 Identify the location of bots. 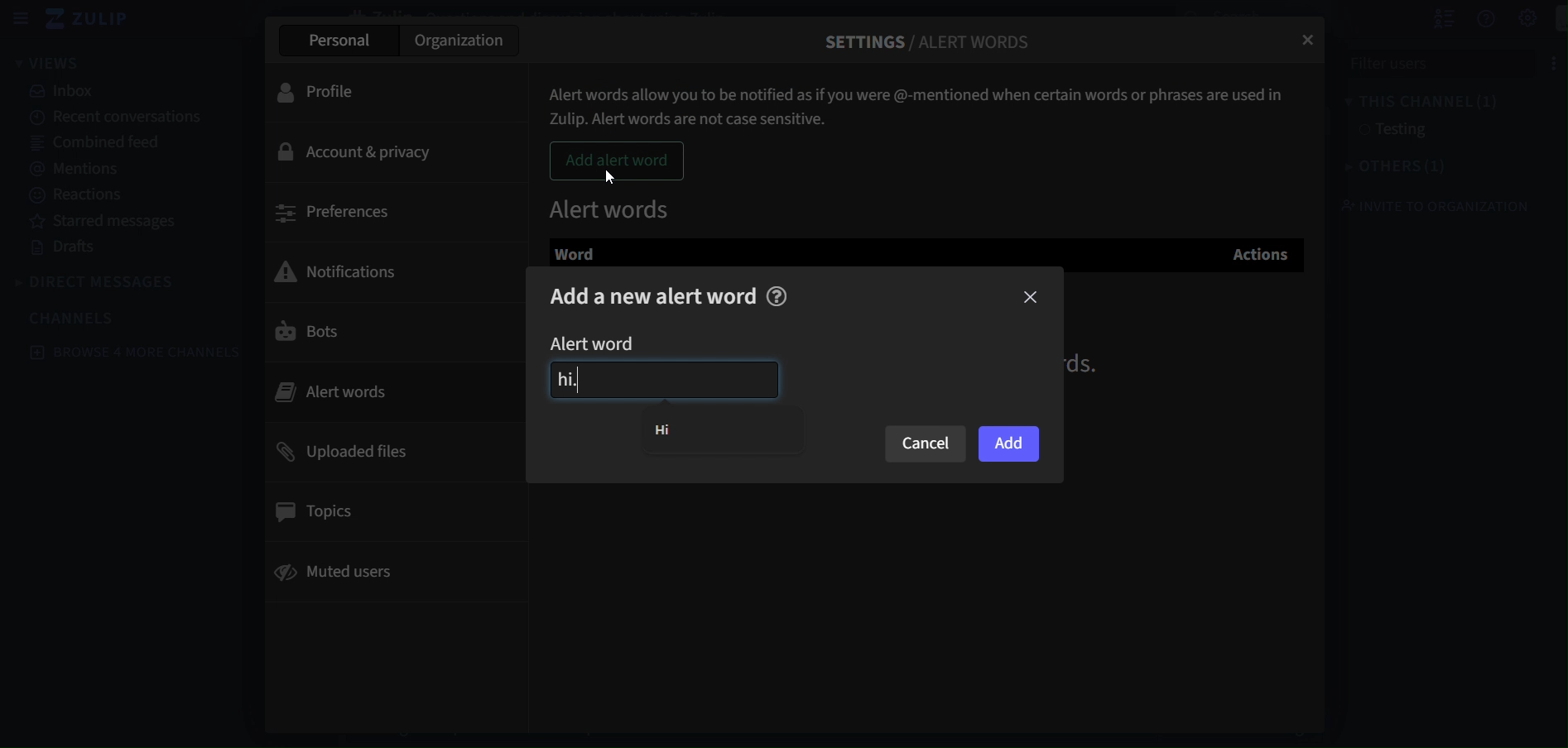
(310, 336).